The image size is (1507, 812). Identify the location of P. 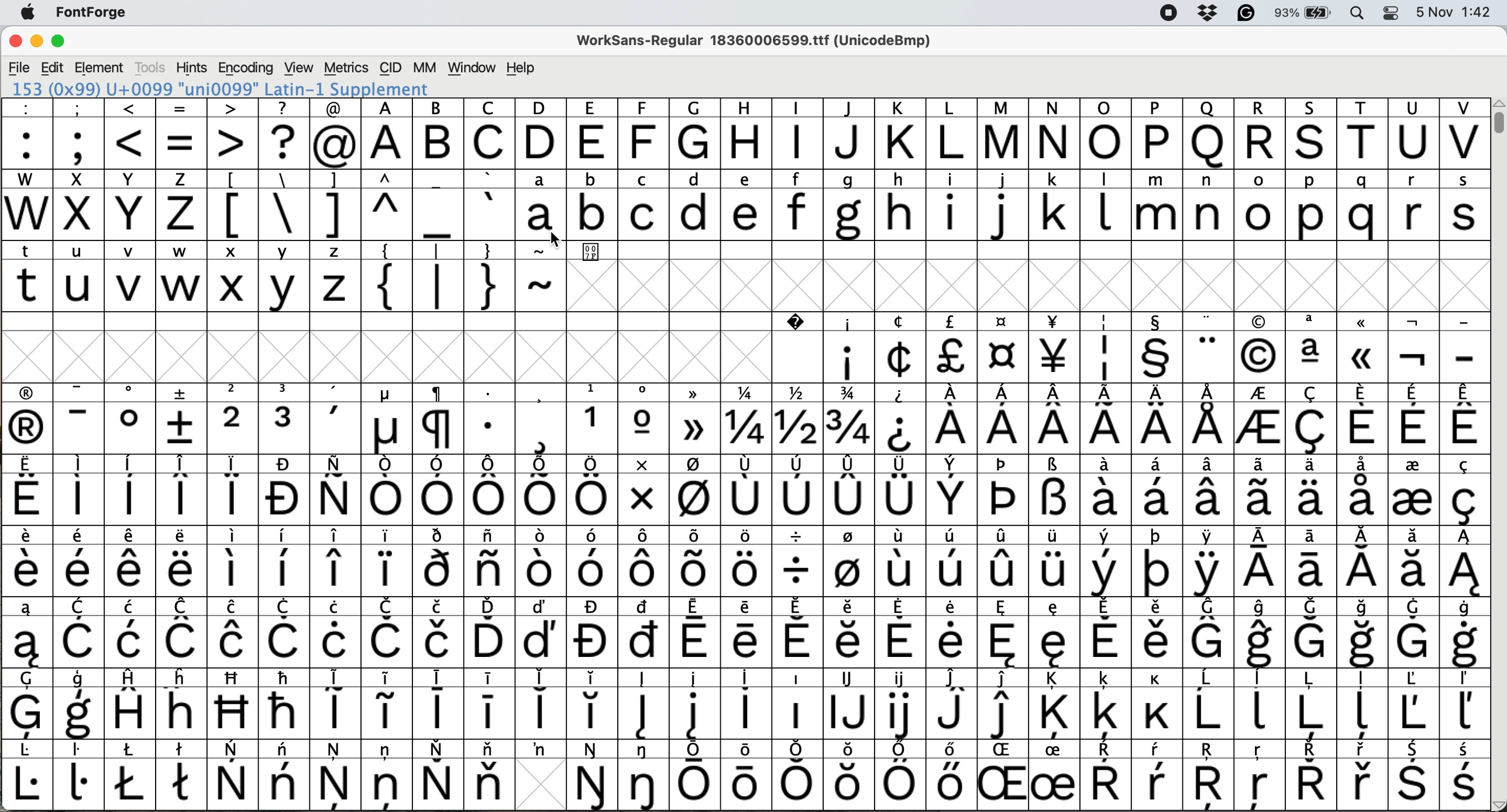
(1157, 133).